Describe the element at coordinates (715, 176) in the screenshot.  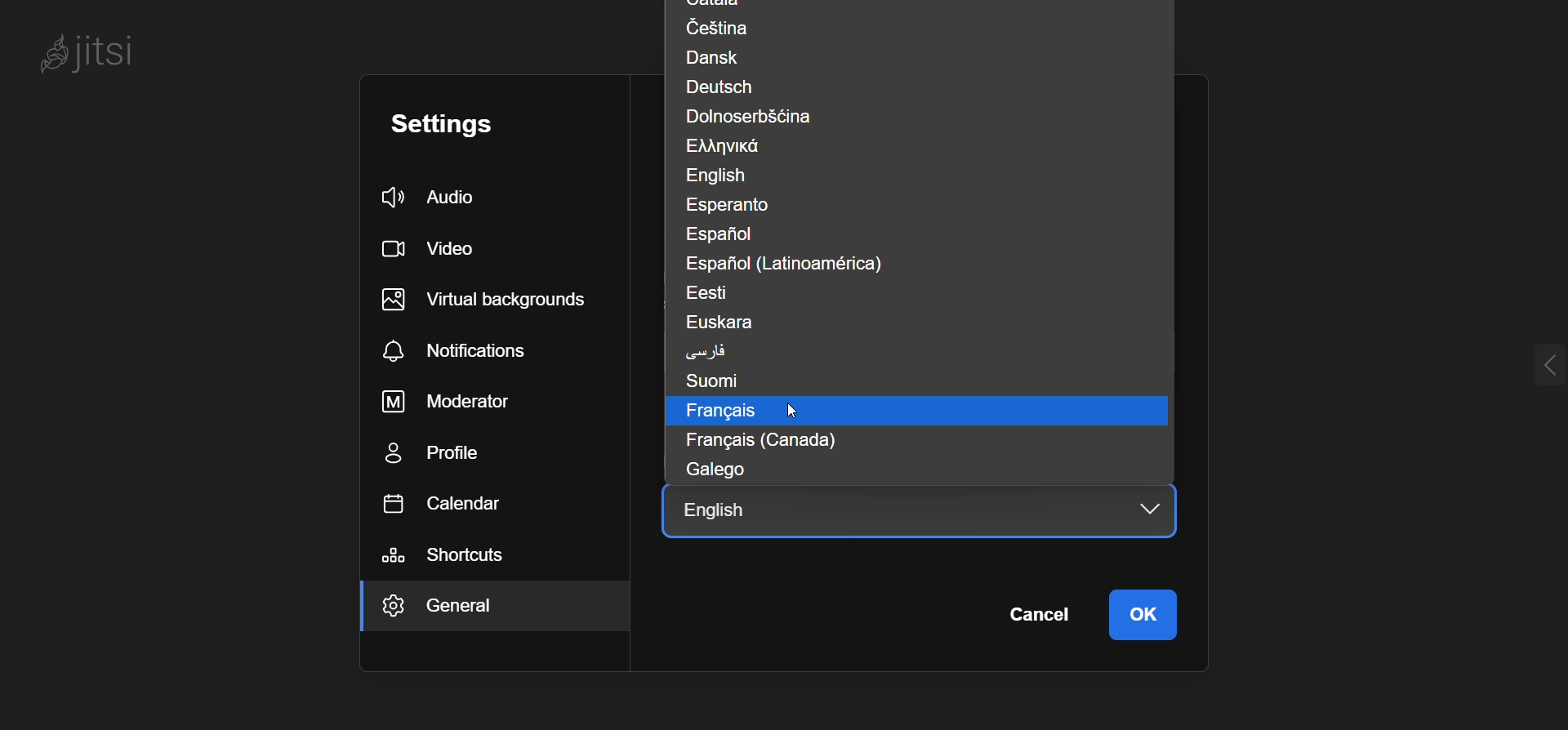
I see `English` at that location.